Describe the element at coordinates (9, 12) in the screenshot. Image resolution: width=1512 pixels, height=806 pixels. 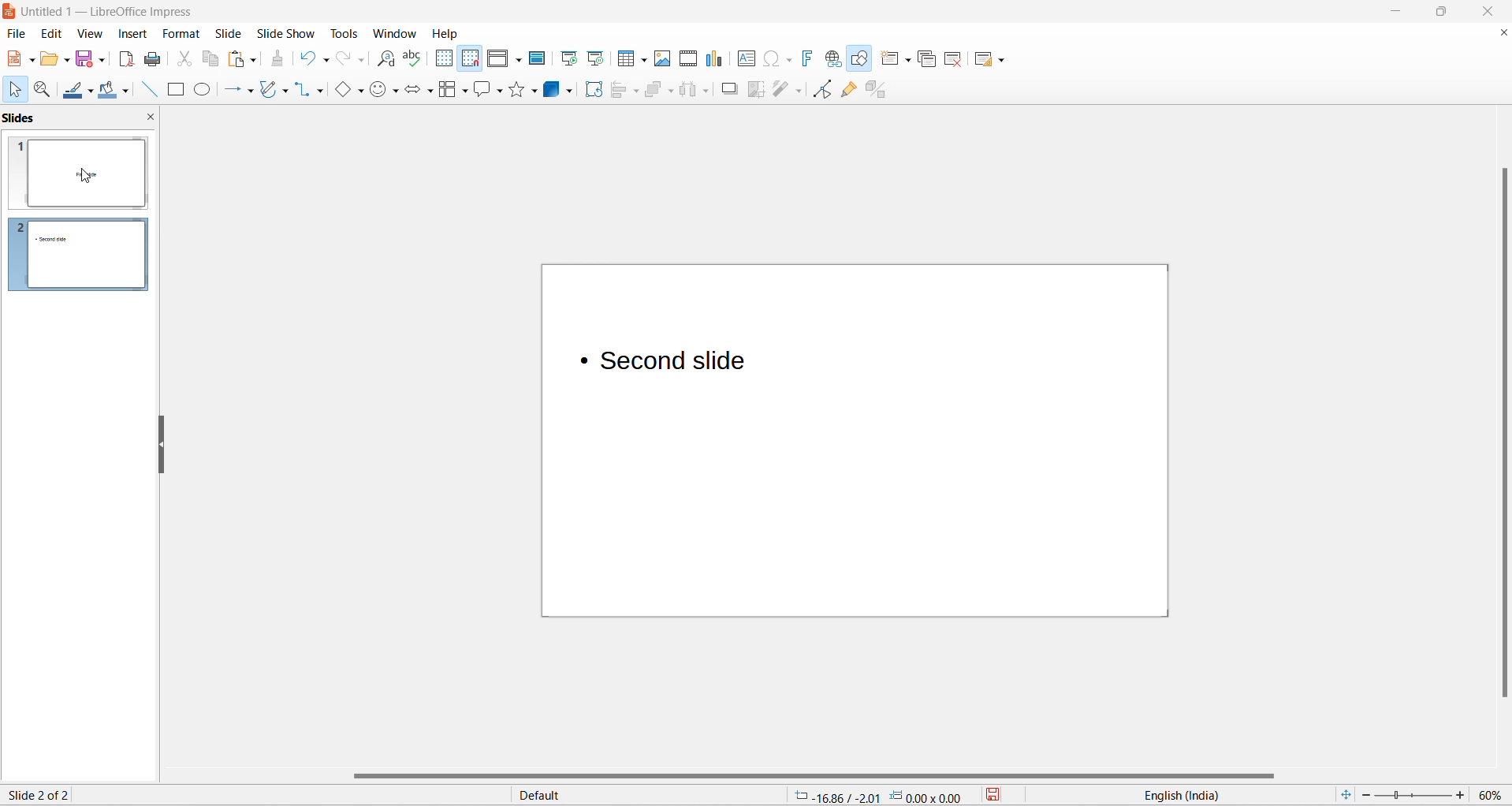
I see `logo` at that location.